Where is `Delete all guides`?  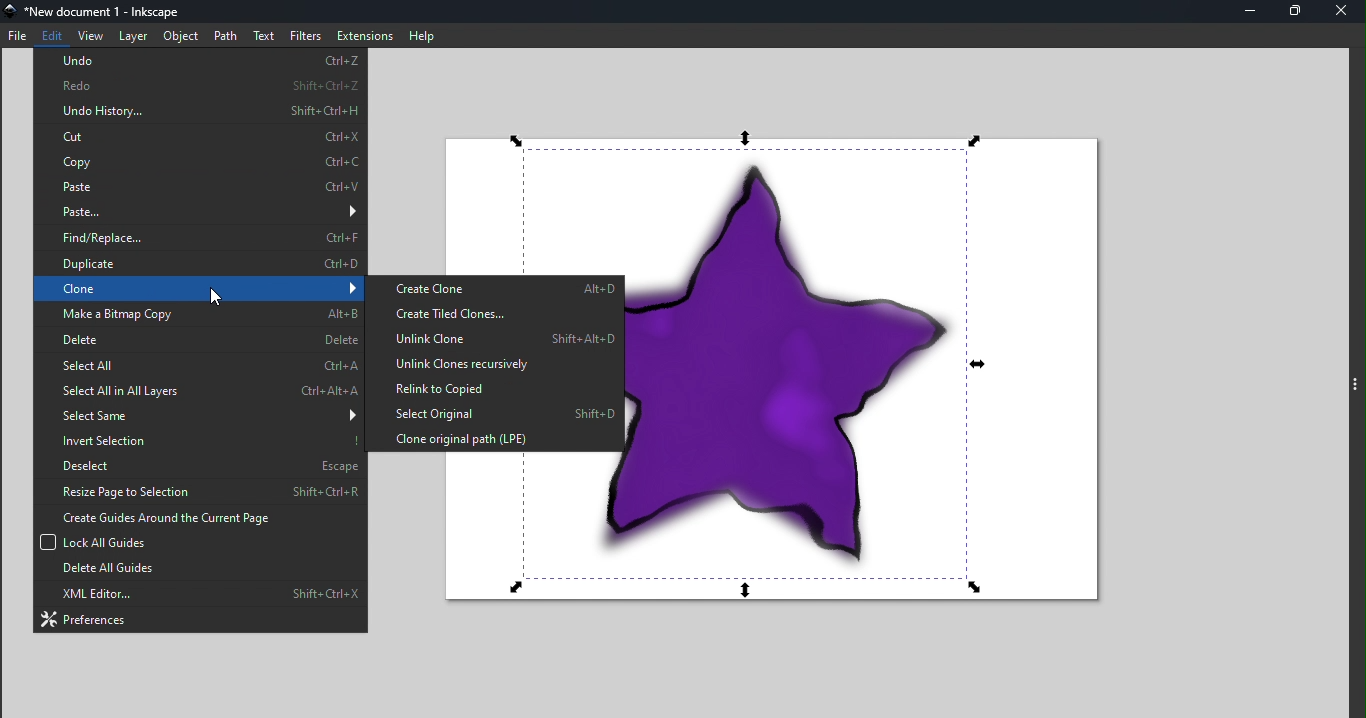 Delete all guides is located at coordinates (198, 571).